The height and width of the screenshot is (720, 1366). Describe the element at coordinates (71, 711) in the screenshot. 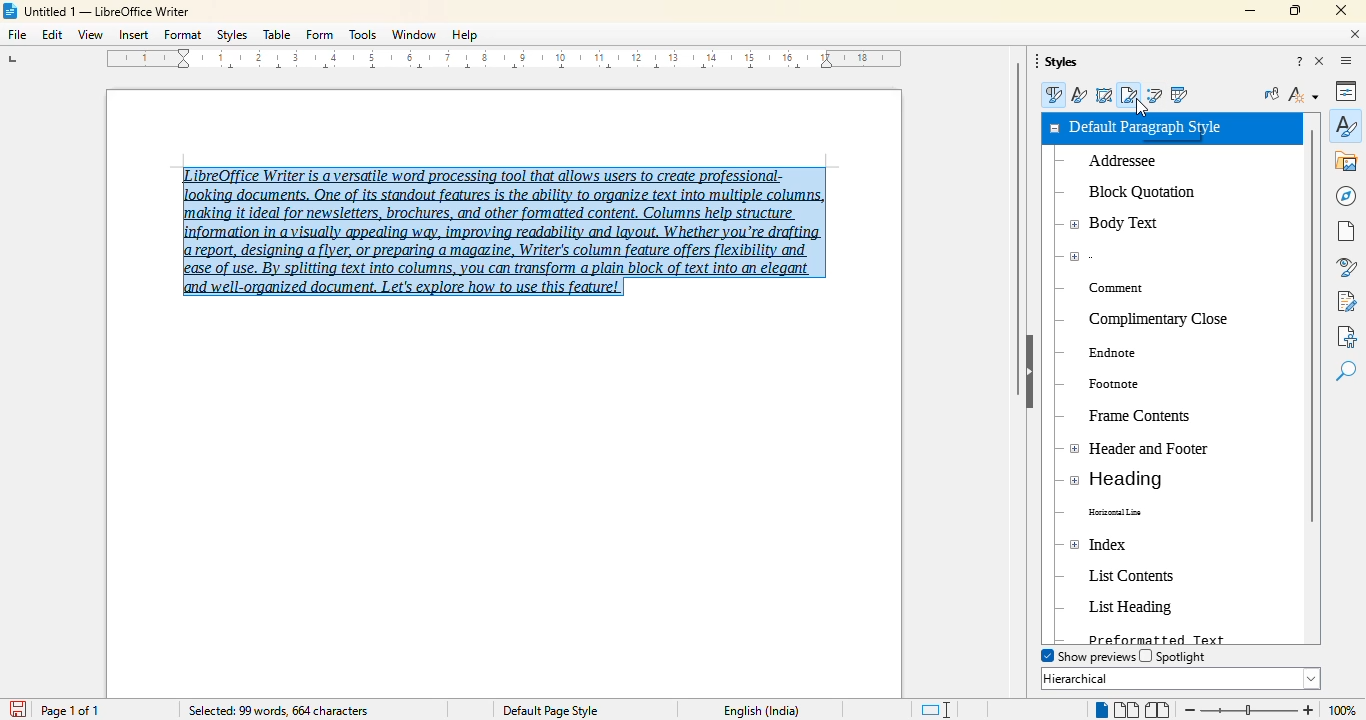

I see `page 1 of 1` at that location.